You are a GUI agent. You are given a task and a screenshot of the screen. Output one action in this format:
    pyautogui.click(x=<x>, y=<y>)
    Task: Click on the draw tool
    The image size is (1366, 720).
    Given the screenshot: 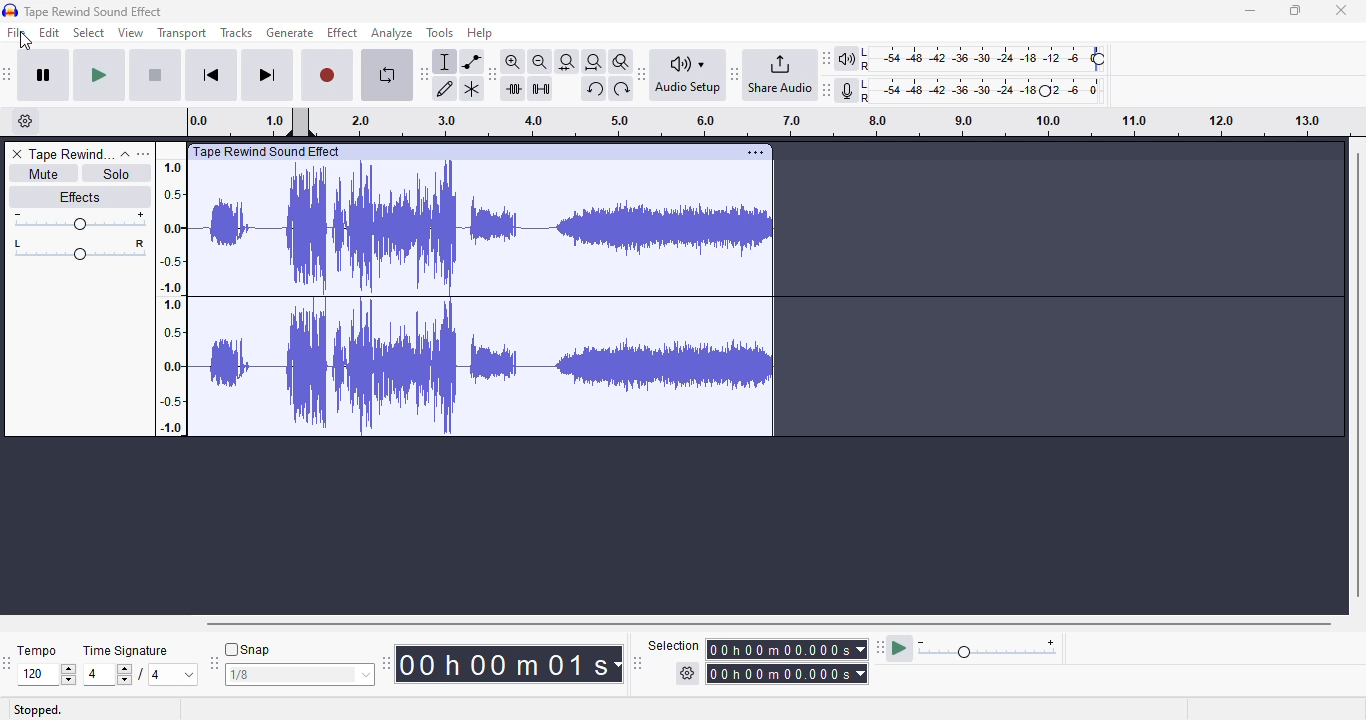 What is the action you would take?
    pyautogui.click(x=446, y=88)
    